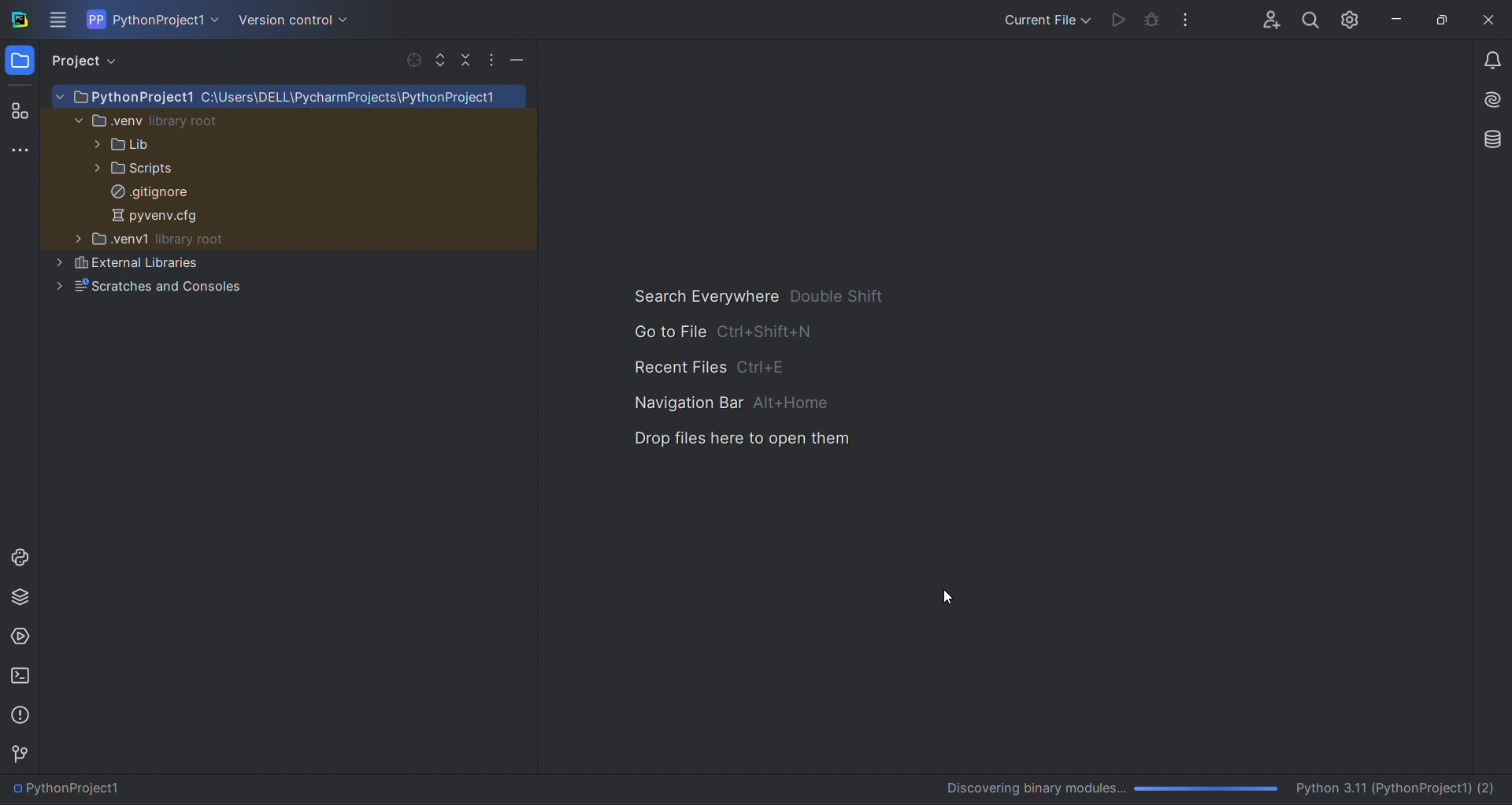  What do you see at coordinates (1487, 102) in the screenshot?
I see `ai assistant` at bounding box center [1487, 102].